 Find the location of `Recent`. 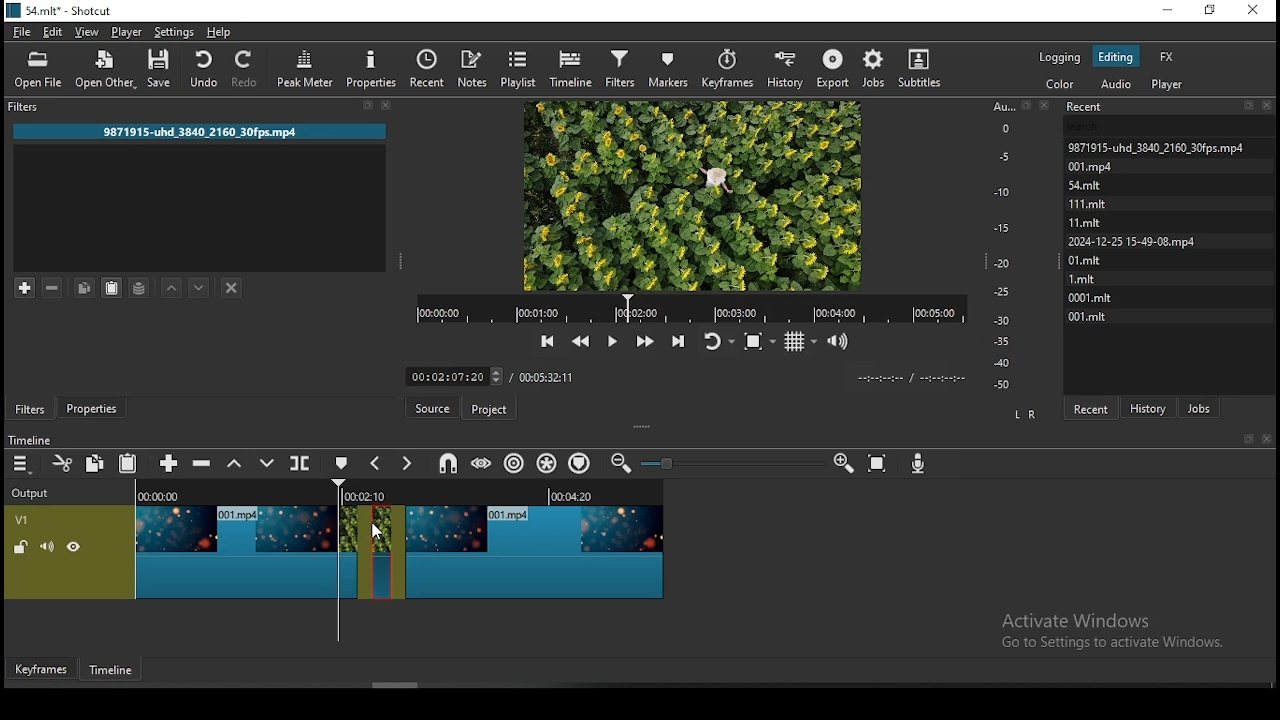

Recent is located at coordinates (1171, 107).